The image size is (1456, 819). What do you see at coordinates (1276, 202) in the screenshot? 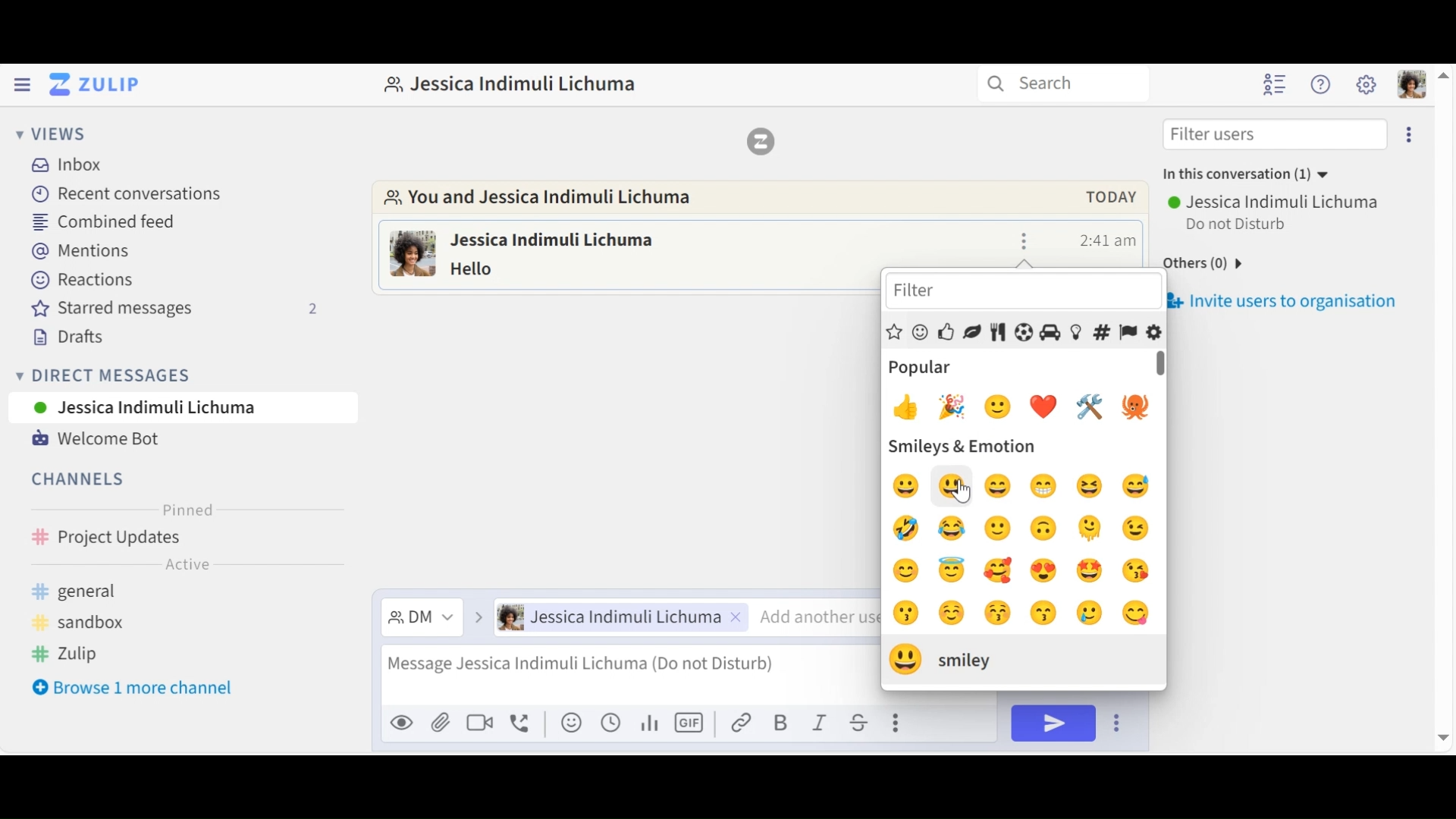
I see `User` at bounding box center [1276, 202].